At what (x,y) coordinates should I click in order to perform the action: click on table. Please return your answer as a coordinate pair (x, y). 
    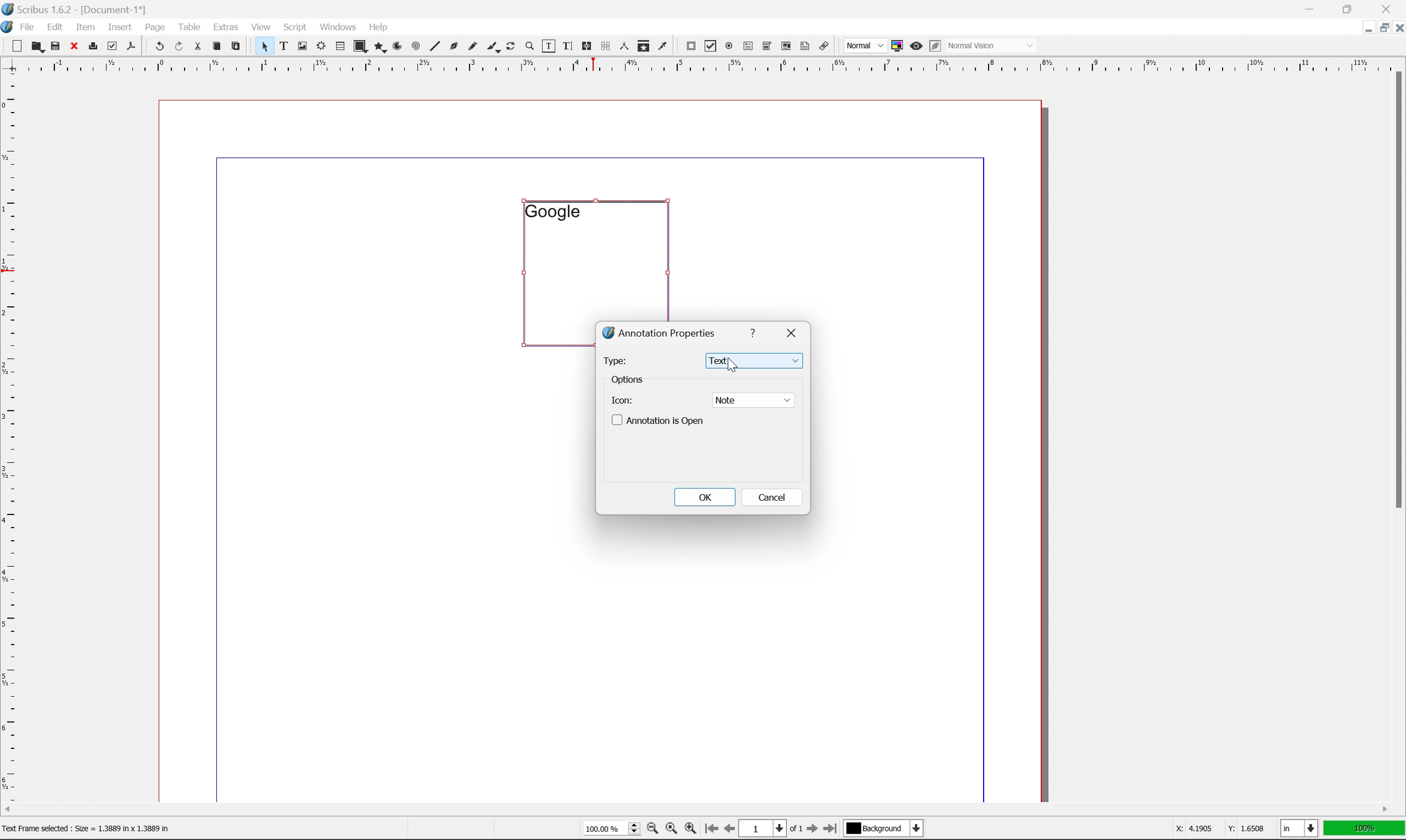
    Looking at the image, I should click on (190, 26).